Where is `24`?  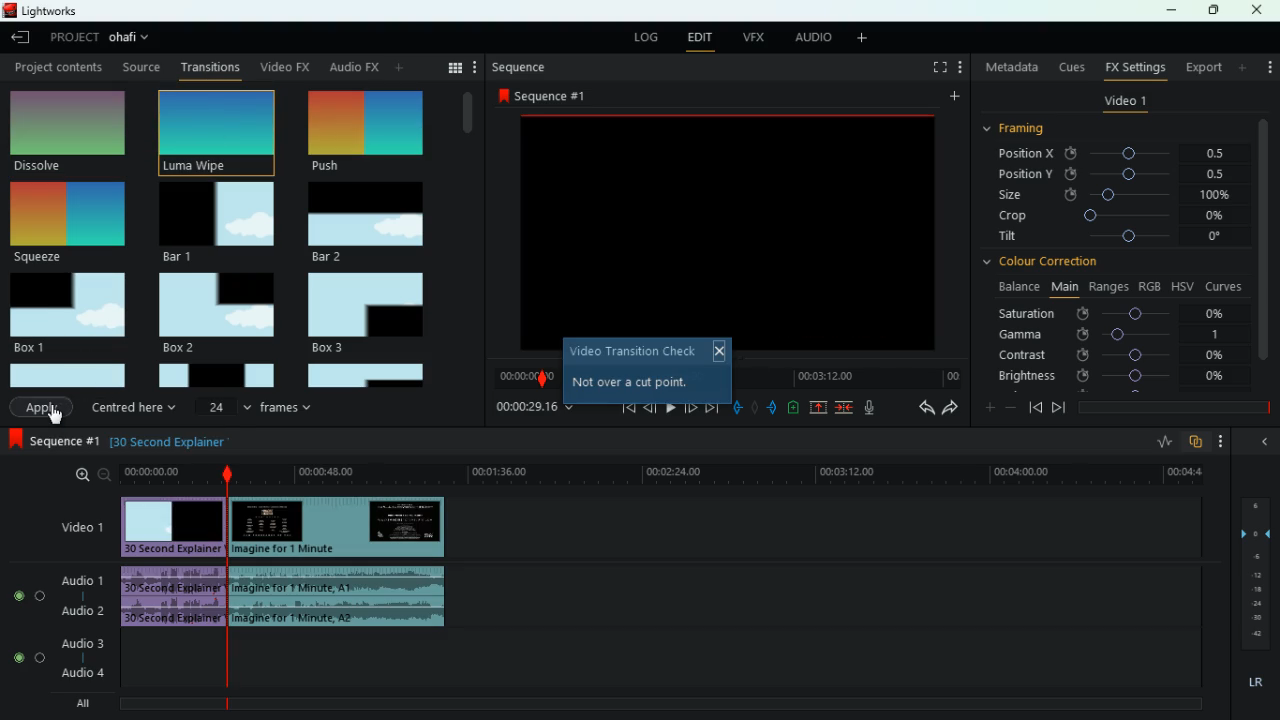
24 is located at coordinates (225, 406).